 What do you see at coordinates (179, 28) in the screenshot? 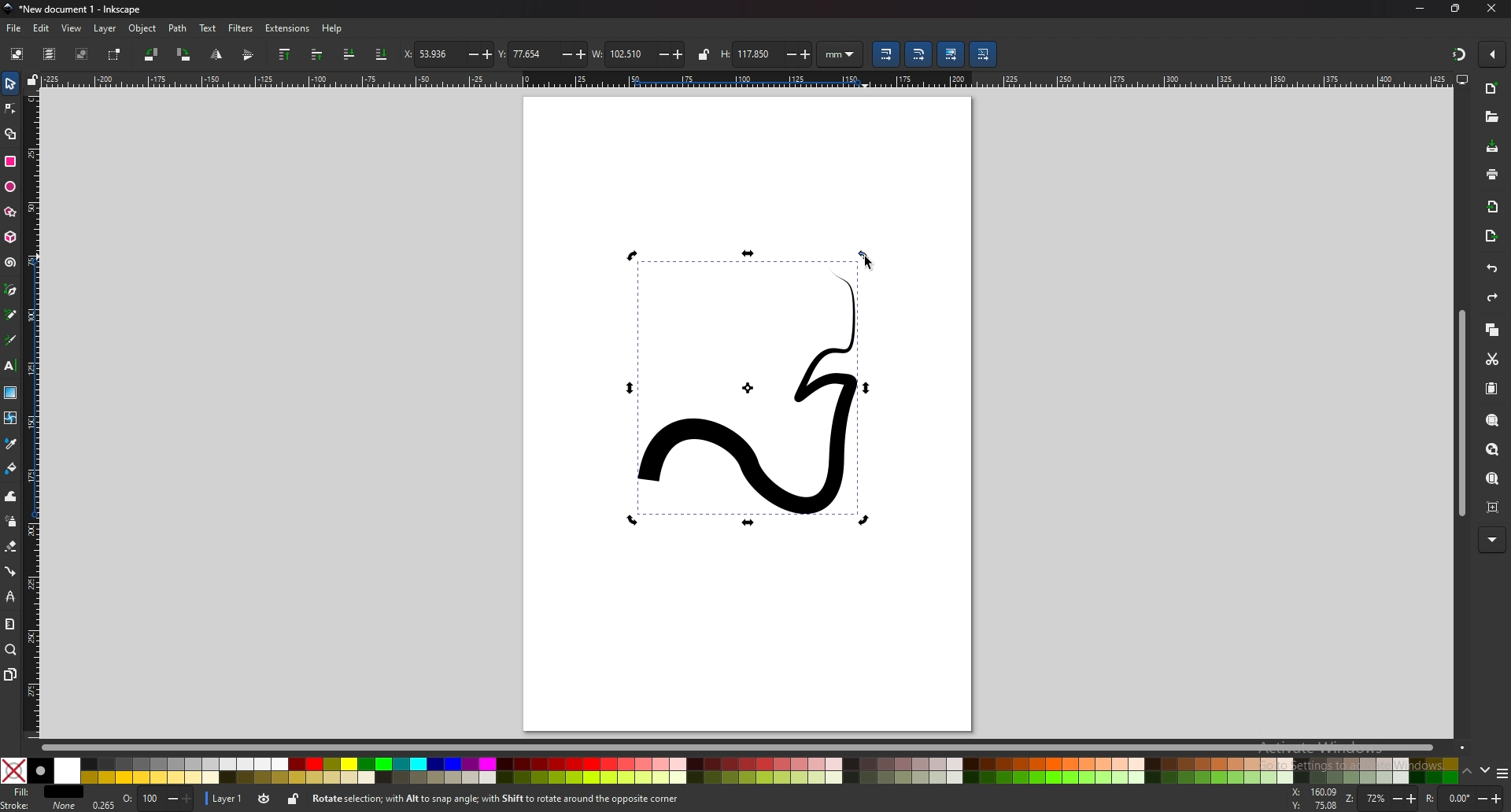
I see `path` at bounding box center [179, 28].